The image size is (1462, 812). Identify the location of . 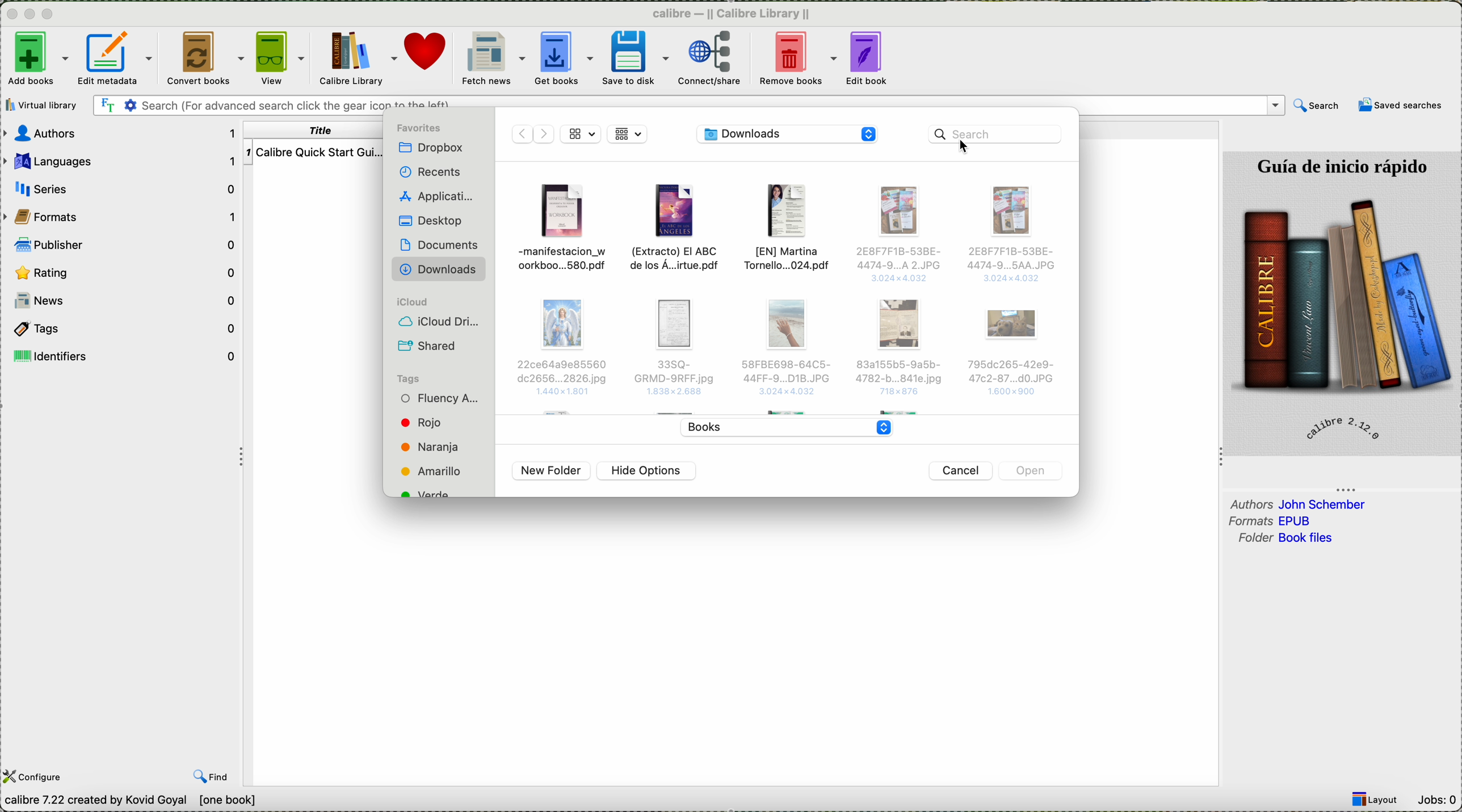
(897, 233).